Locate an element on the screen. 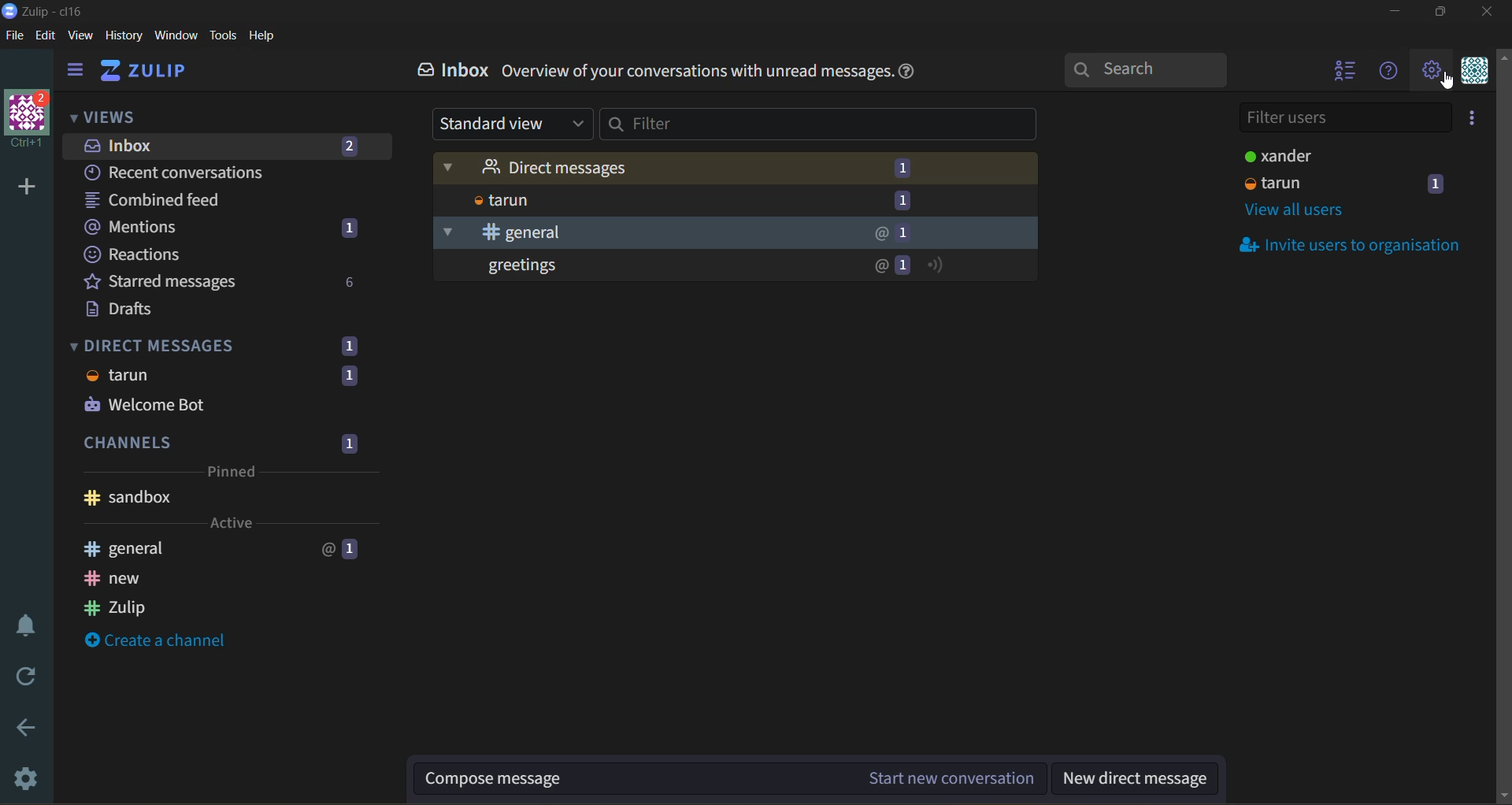 This screenshot has width=1512, height=805. tarun is located at coordinates (232, 377).